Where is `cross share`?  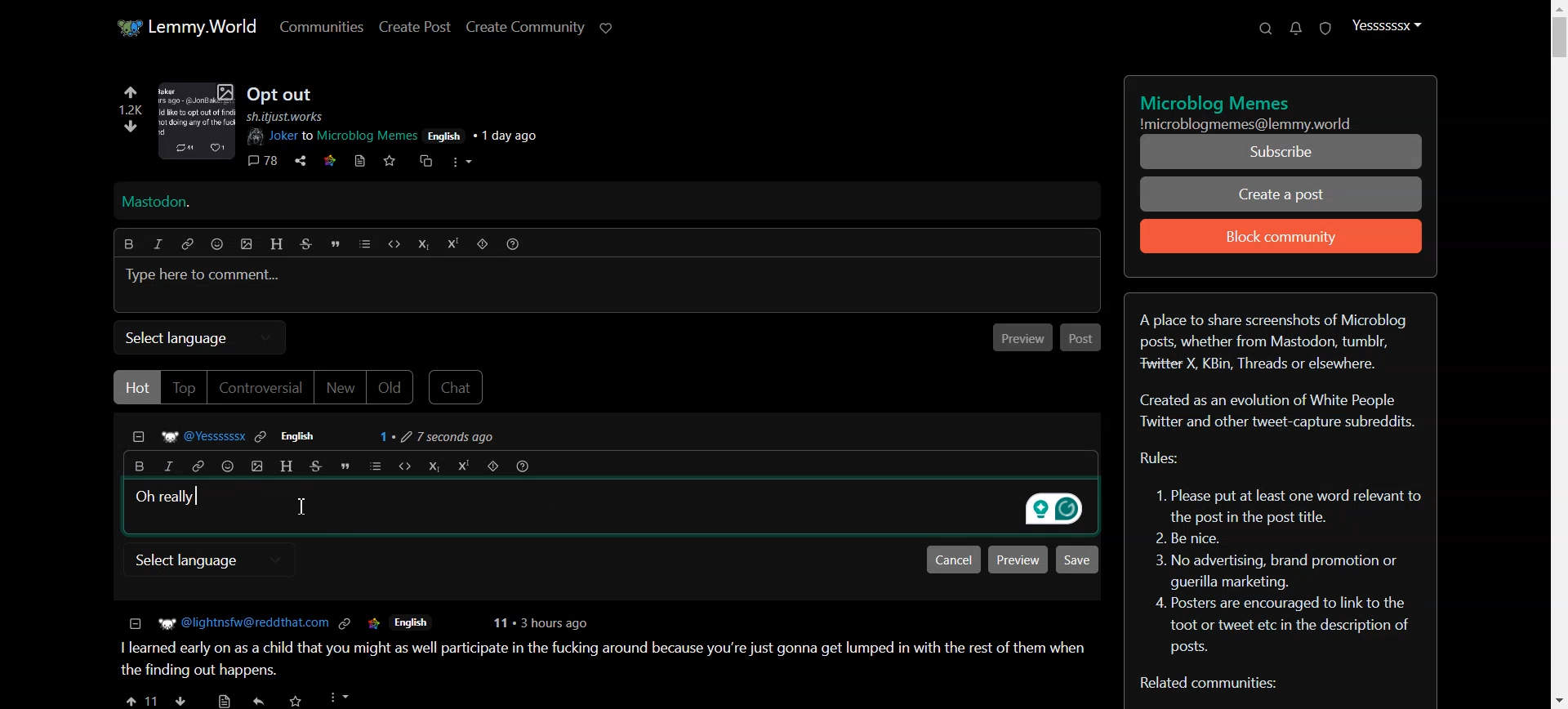
cross share is located at coordinates (430, 161).